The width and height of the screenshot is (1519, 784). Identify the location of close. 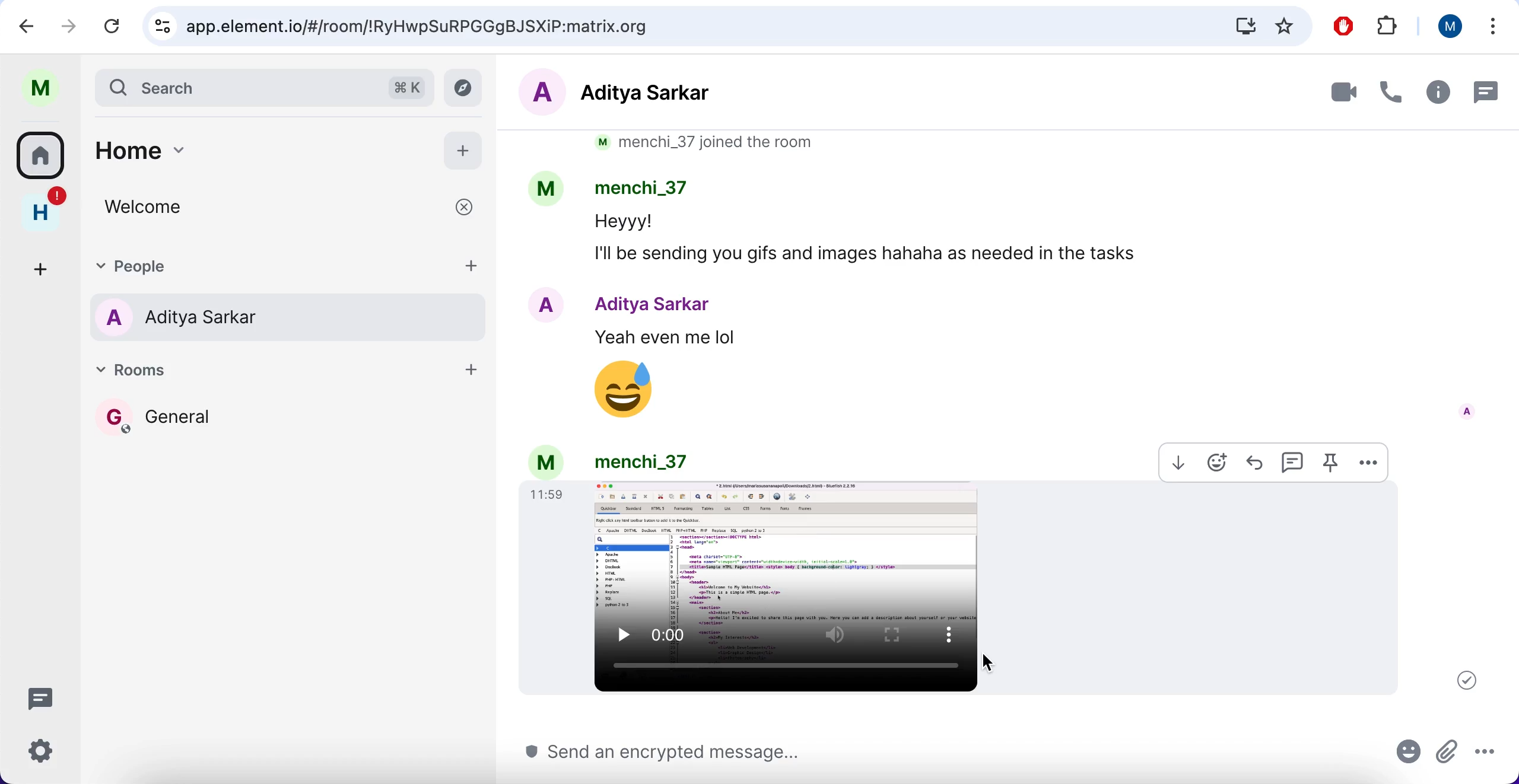
(465, 206).